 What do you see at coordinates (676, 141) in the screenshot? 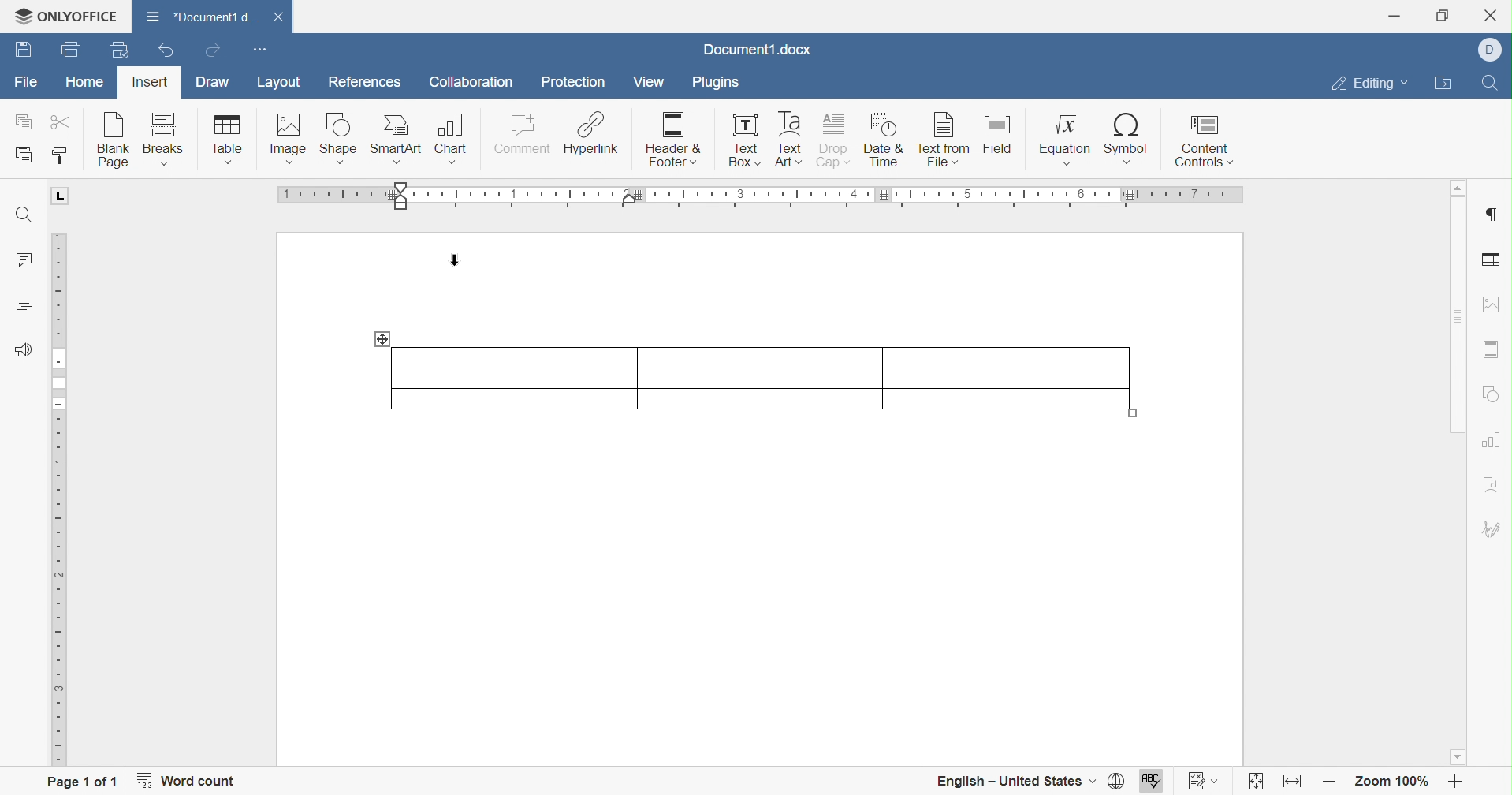
I see `Header & Footer` at bounding box center [676, 141].